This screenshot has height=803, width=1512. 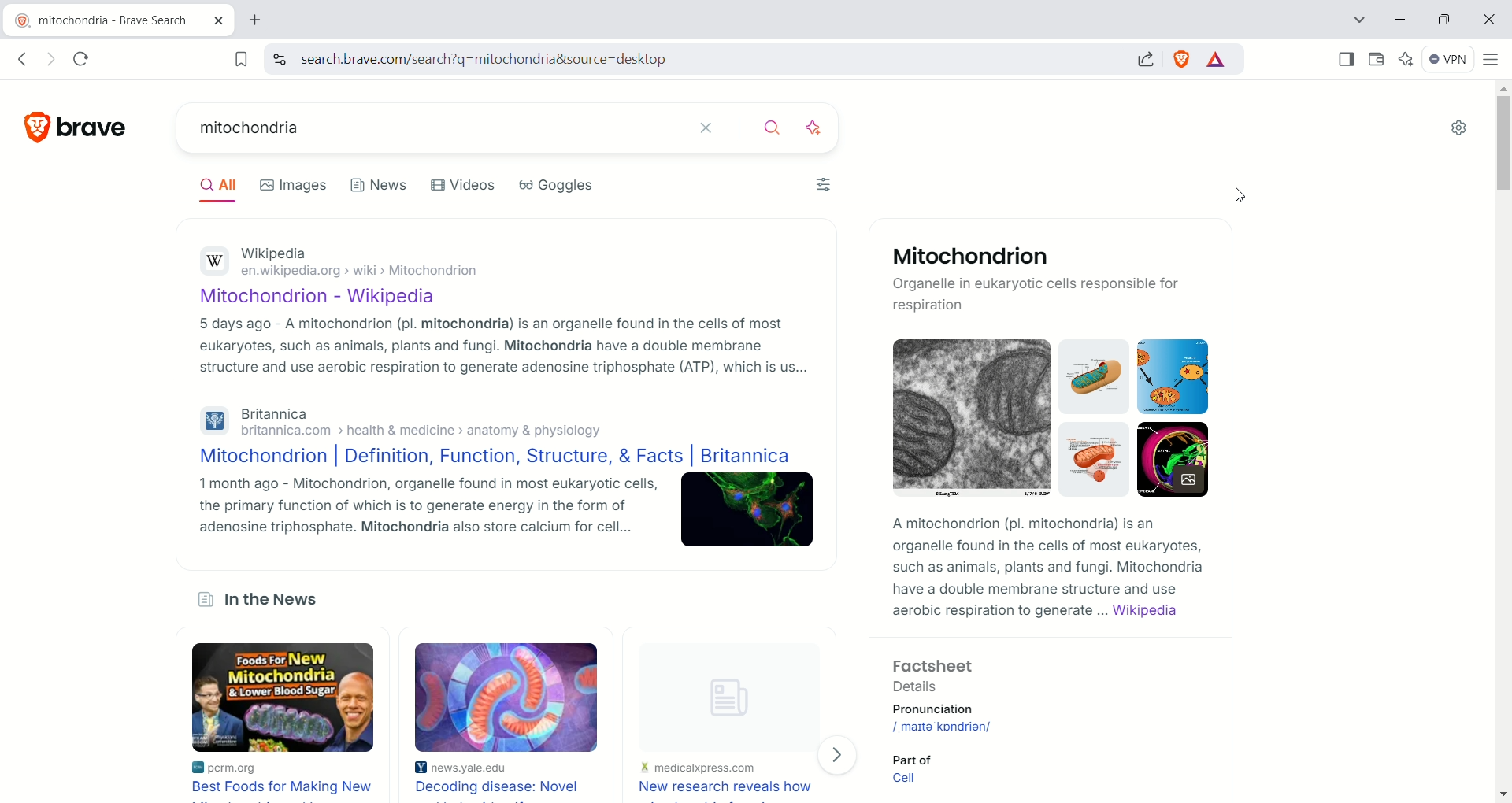 I want to click on brave, so click(x=96, y=129).